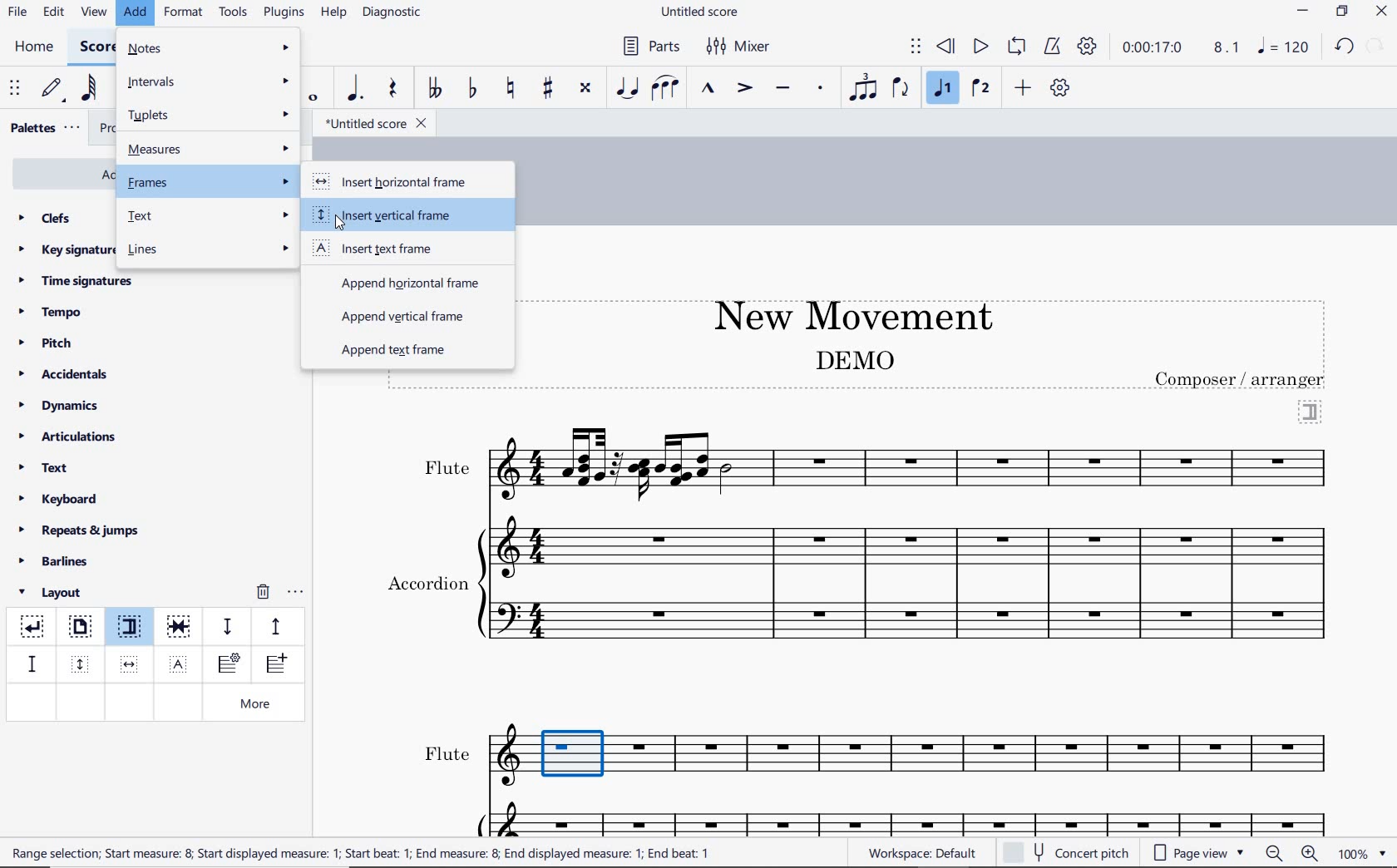 This screenshot has width=1397, height=868. What do you see at coordinates (33, 47) in the screenshot?
I see `home` at bounding box center [33, 47].